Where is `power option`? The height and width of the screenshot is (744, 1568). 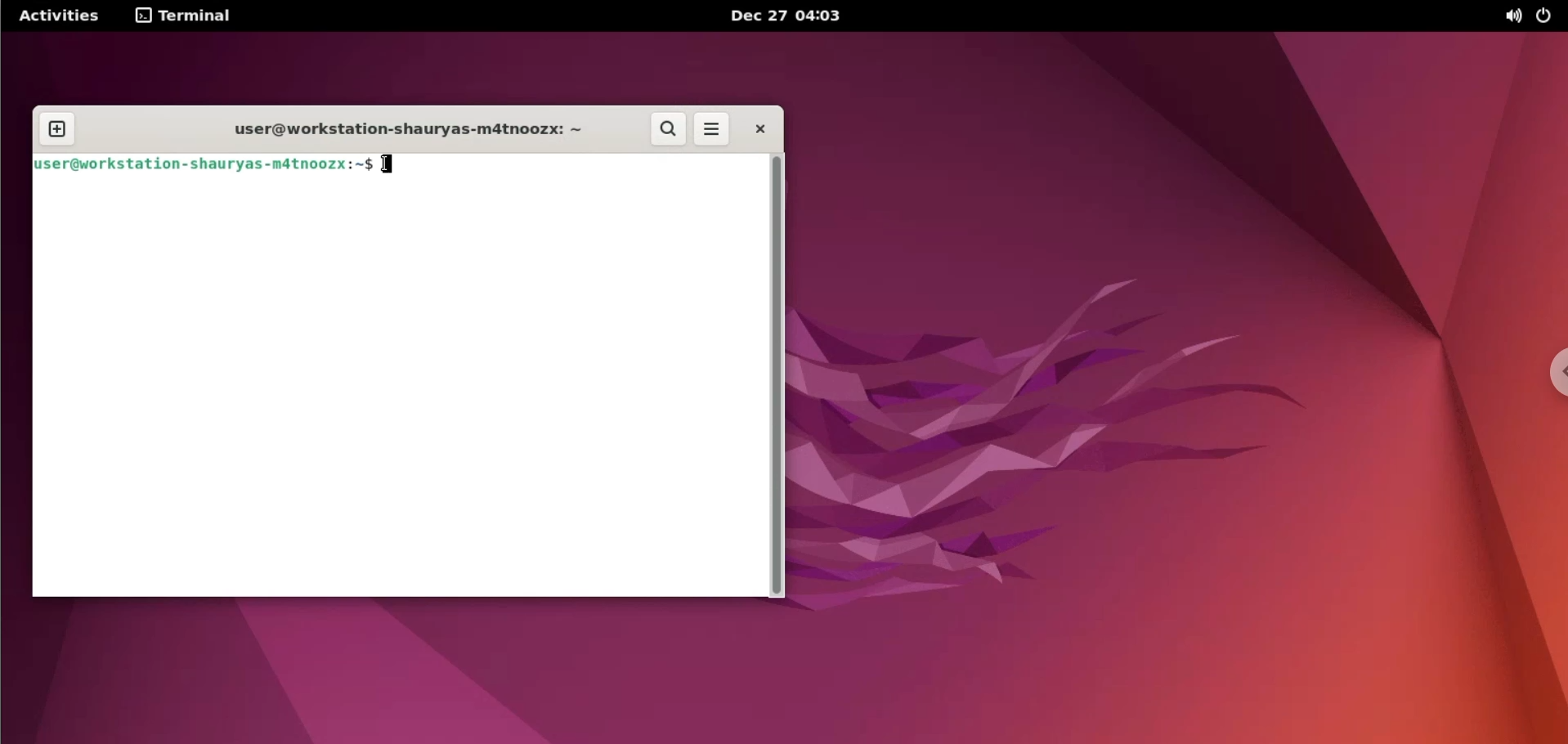 power option is located at coordinates (1548, 16).